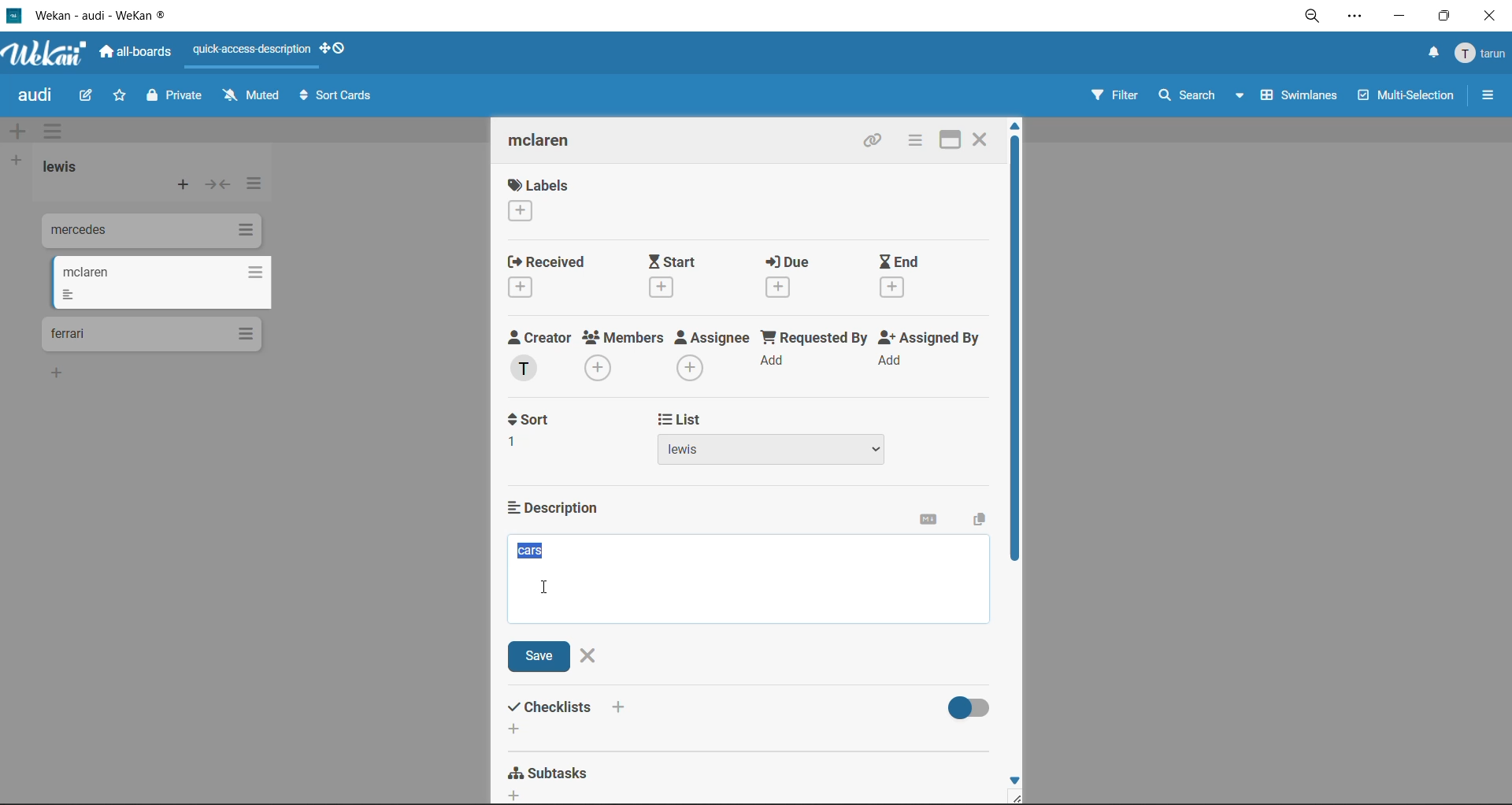 The height and width of the screenshot is (805, 1512). Describe the element at coordinates (136, 52) in the screenshot. I see `all boards` at that location.